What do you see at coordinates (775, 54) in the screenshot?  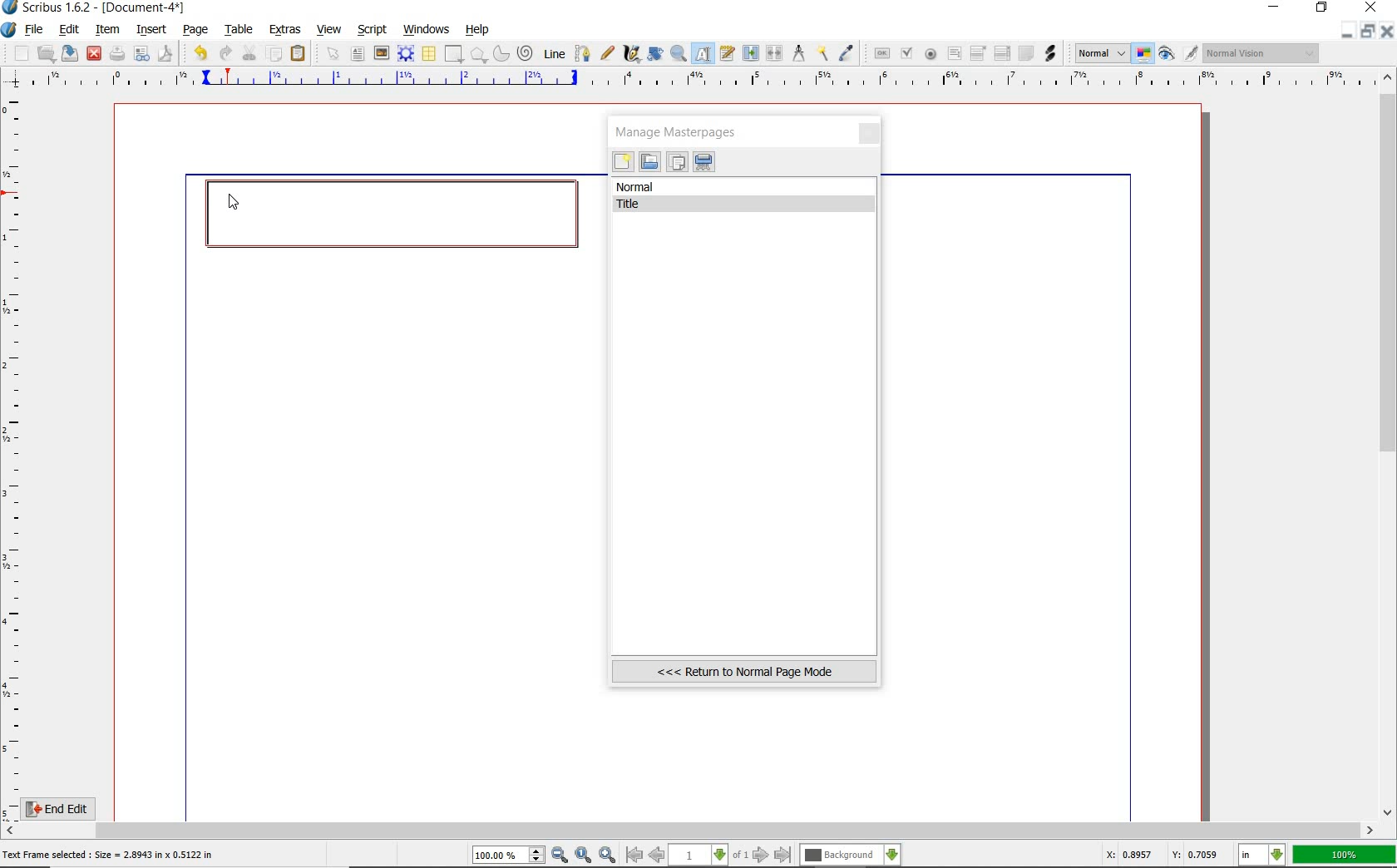 I see `unlink text frames` at bounding box center [775, 54].